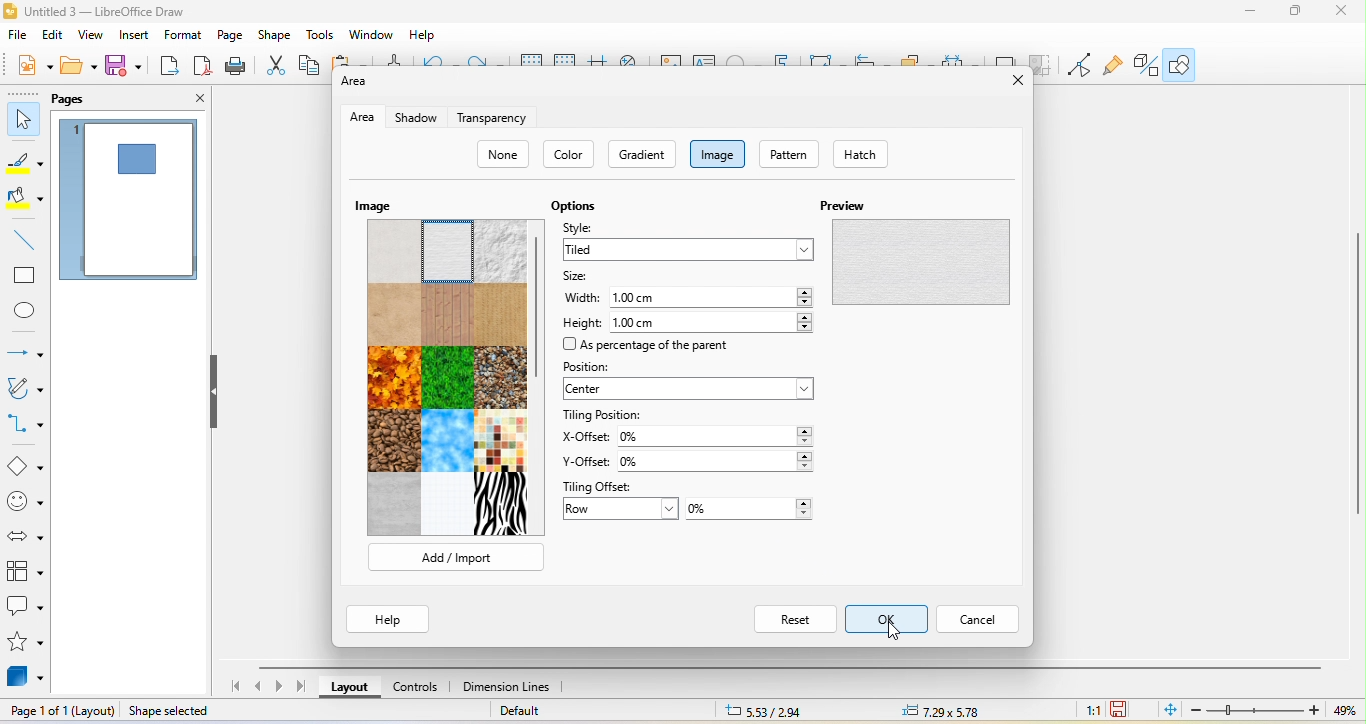 This screenshot has height=724, width=1366. Describe the element at coordinates (24, 502) in the screenshot. I see `symbol shapes` at that location.